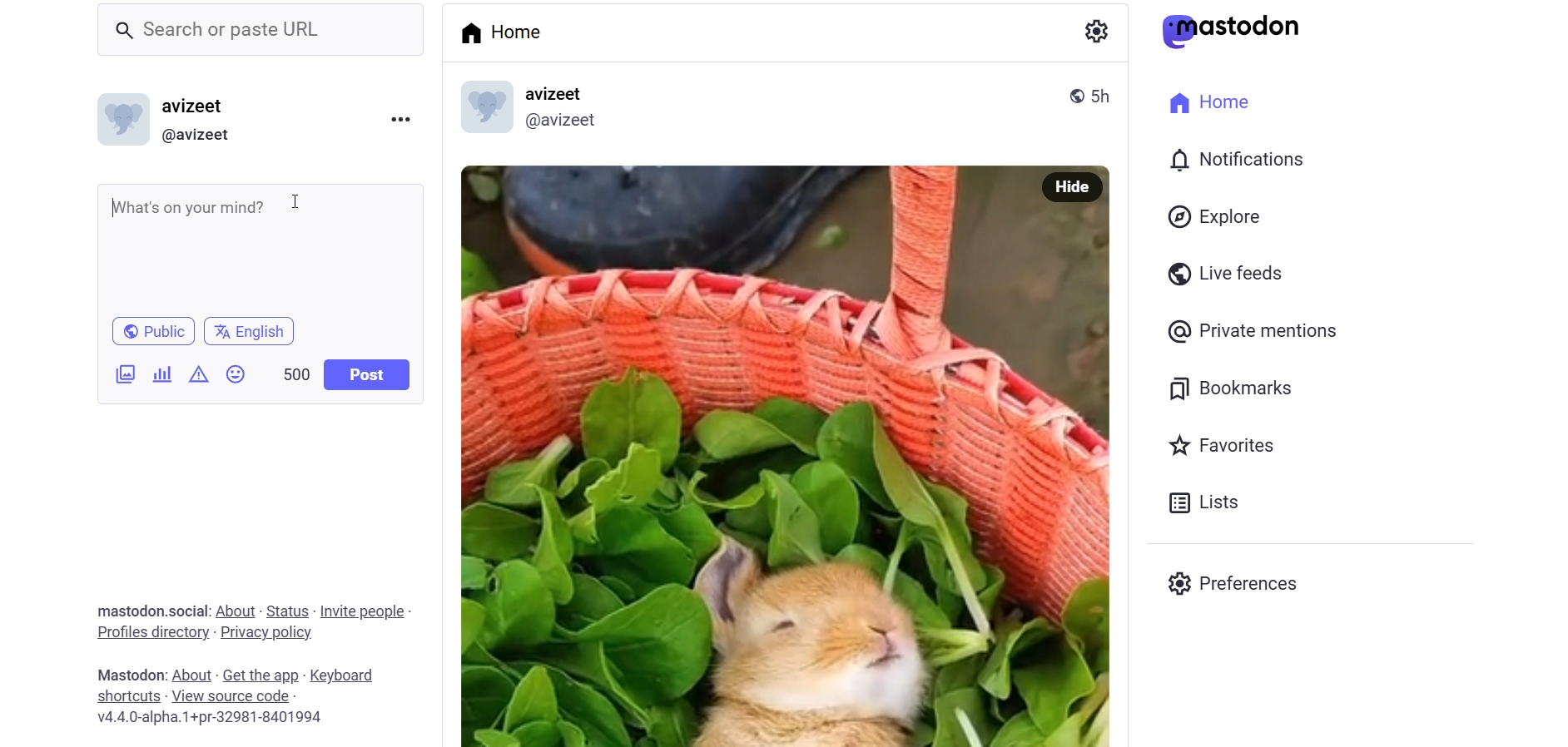 The image size is (1568, 747). What do you see at coordinates (127, 374) in the screenshot?
I see `ijmages/videos` at bounding box center [127, 374].